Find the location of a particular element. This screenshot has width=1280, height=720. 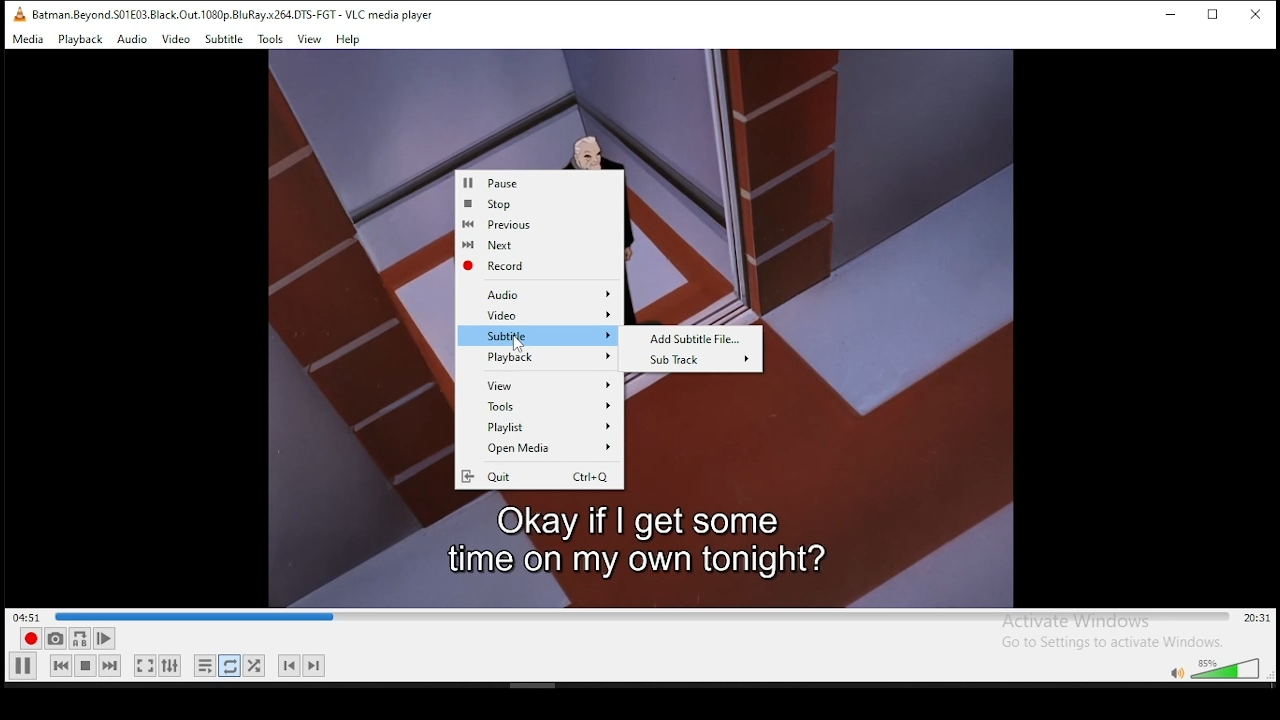

Tools. is located at coordinates (270, 40).